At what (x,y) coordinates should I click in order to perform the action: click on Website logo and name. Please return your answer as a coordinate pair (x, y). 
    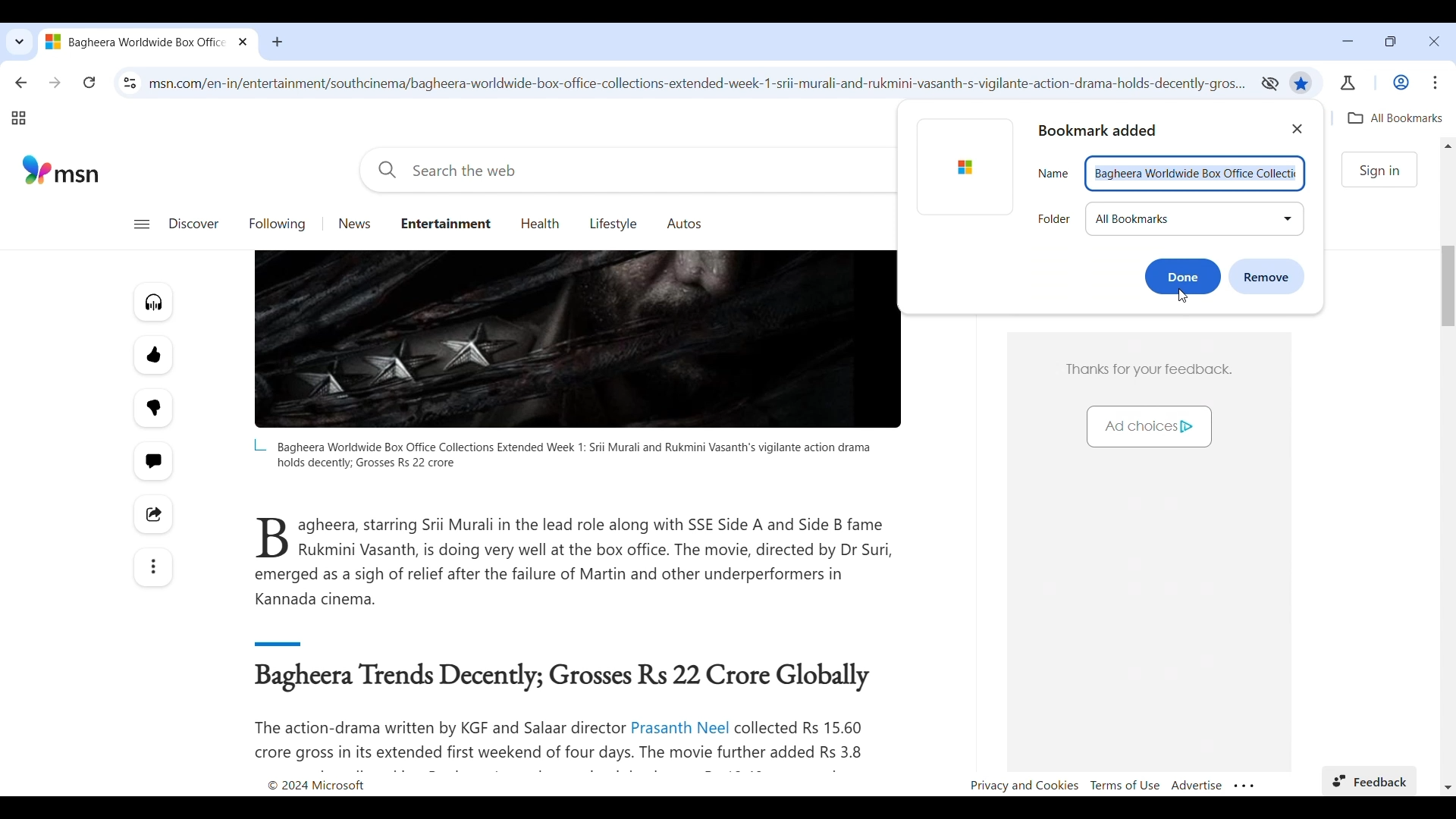
    Looking at the image, I should click on (61, 169).